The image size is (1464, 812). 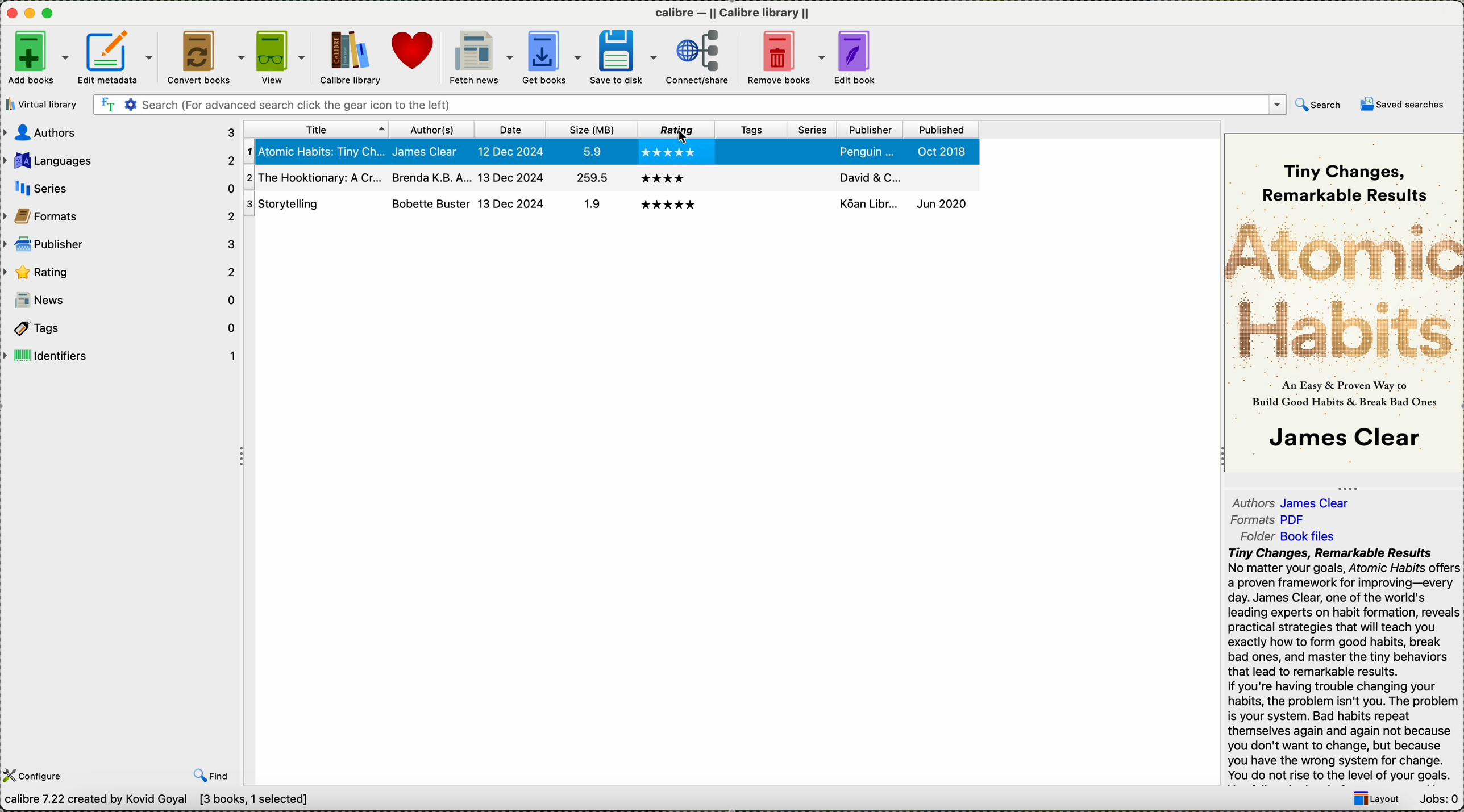 I want to click on published, so click(x=938, y=177).